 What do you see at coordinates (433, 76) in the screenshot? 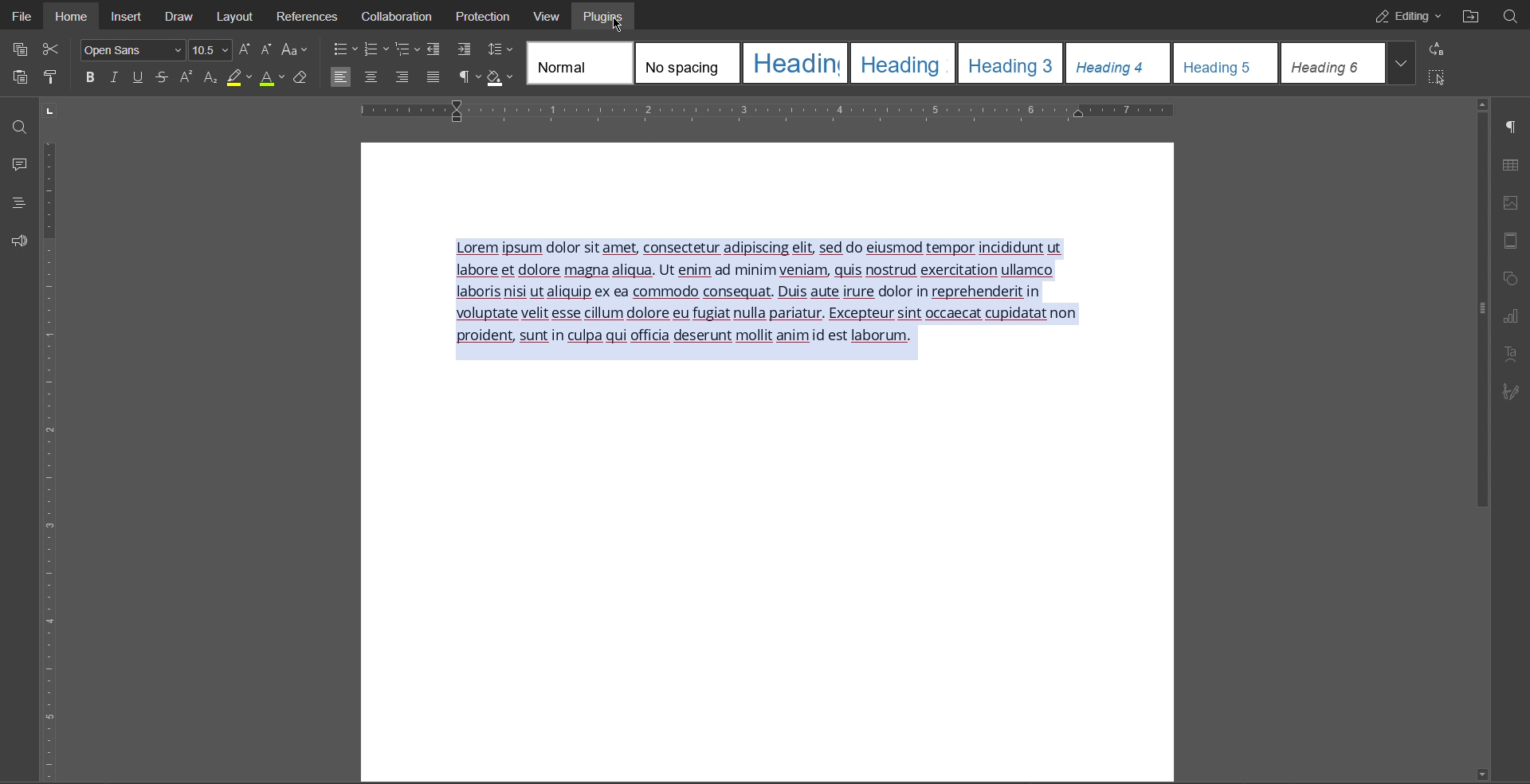
I see `Justify ` at bounding box center [433, 76].